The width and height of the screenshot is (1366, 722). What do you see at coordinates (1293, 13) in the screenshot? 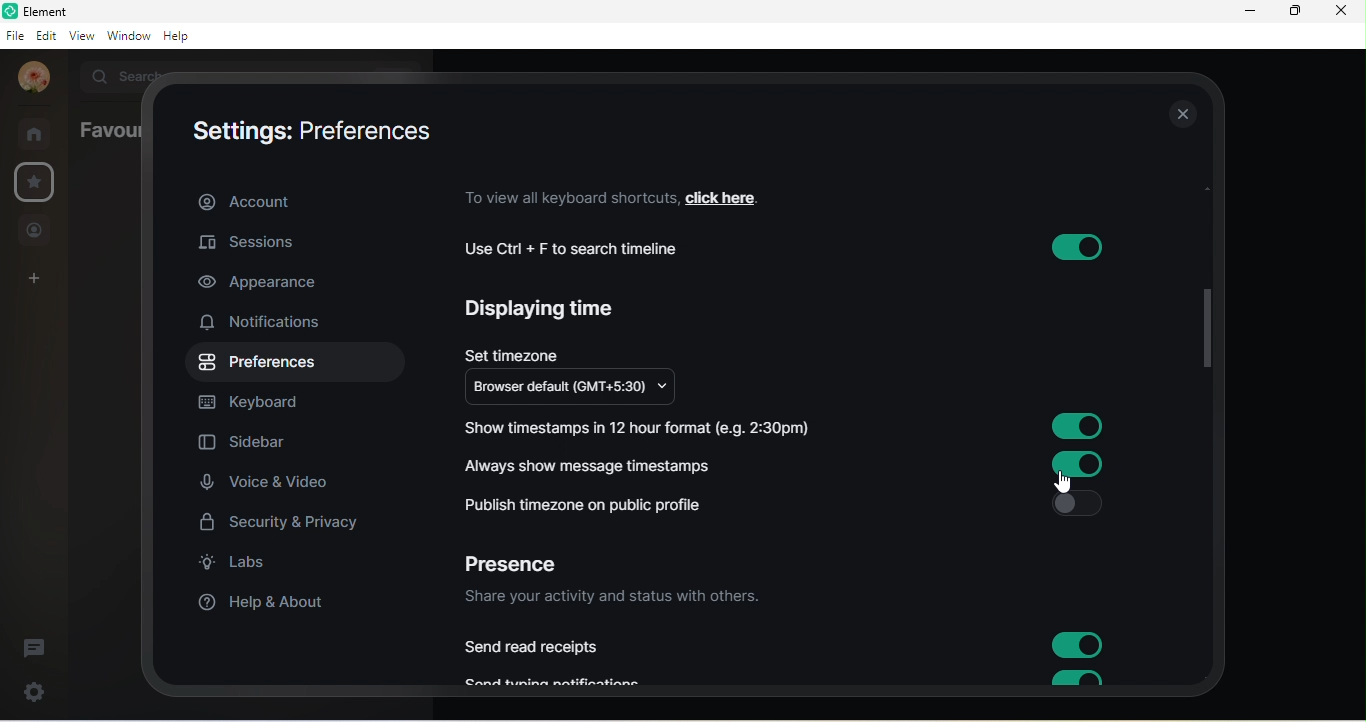
I see `maximize` at bounding box center [1293, 13].